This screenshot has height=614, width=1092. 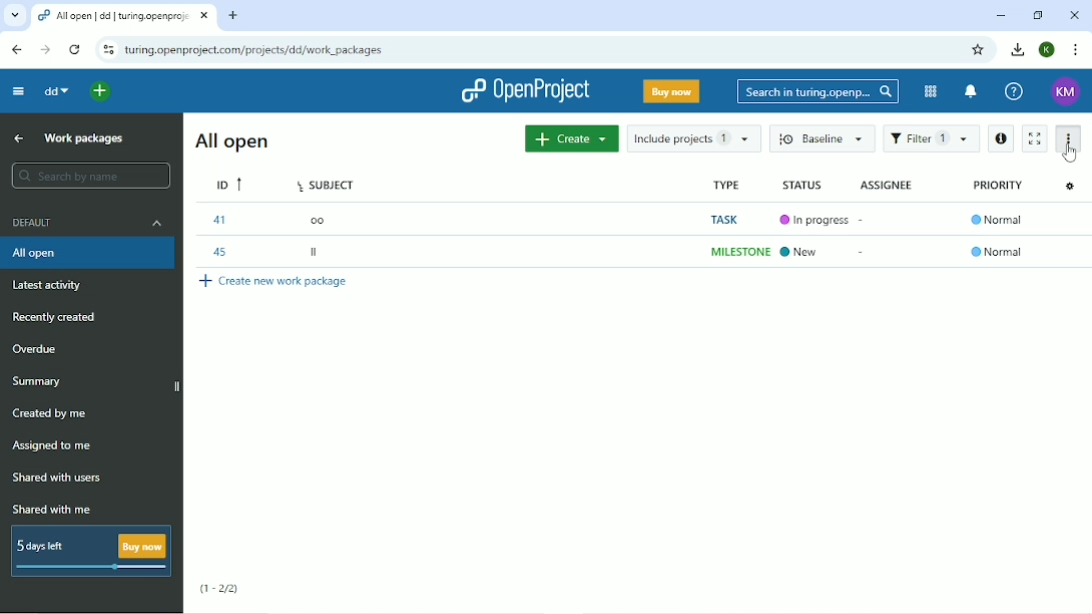 What do you see at coordinates (38, 382) in the screenshot?
I see `Summary` at bounding box center [38, 382].